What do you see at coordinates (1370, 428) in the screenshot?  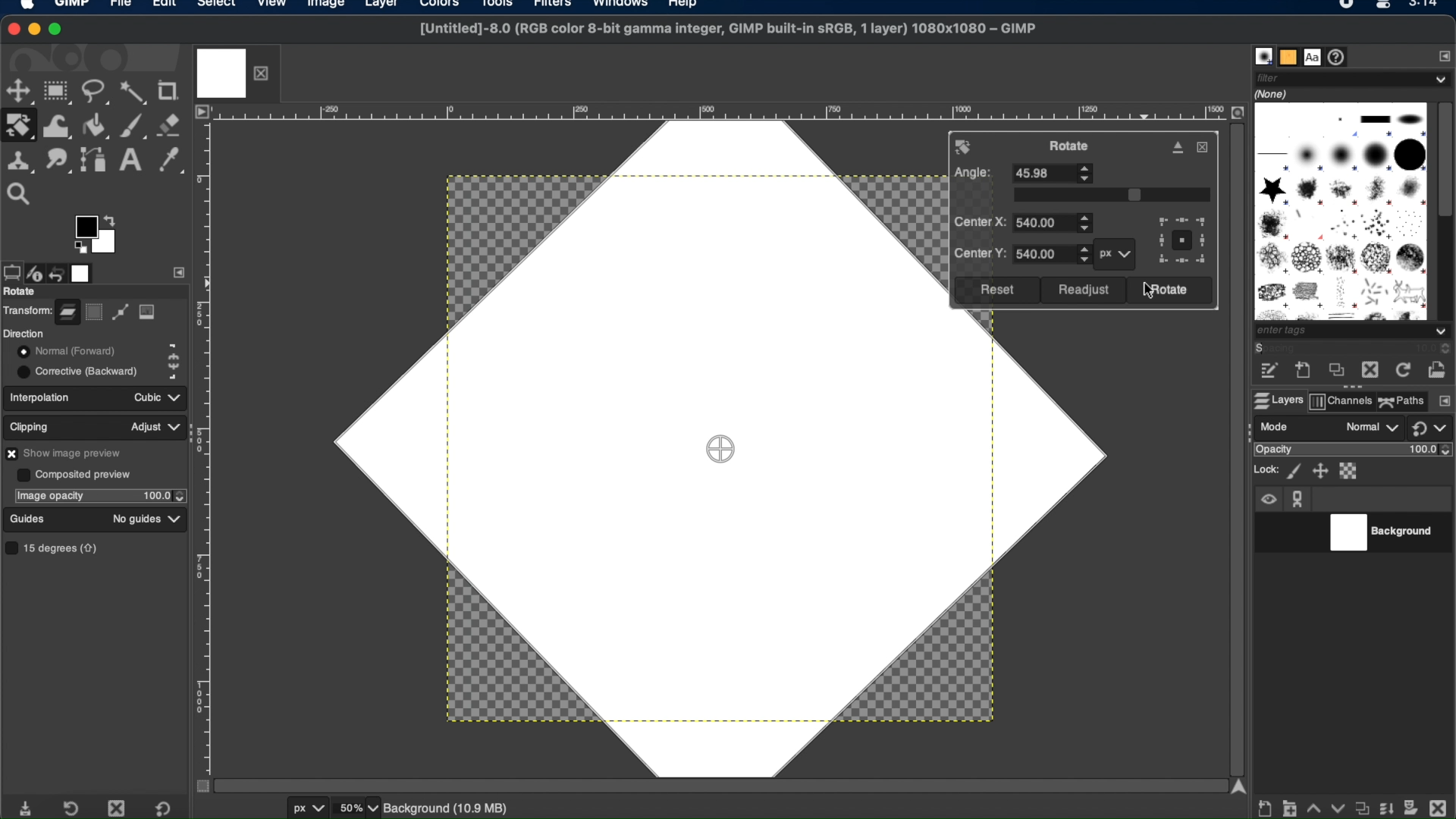 I see `normal drop down` at bounding box center [1370, 428].